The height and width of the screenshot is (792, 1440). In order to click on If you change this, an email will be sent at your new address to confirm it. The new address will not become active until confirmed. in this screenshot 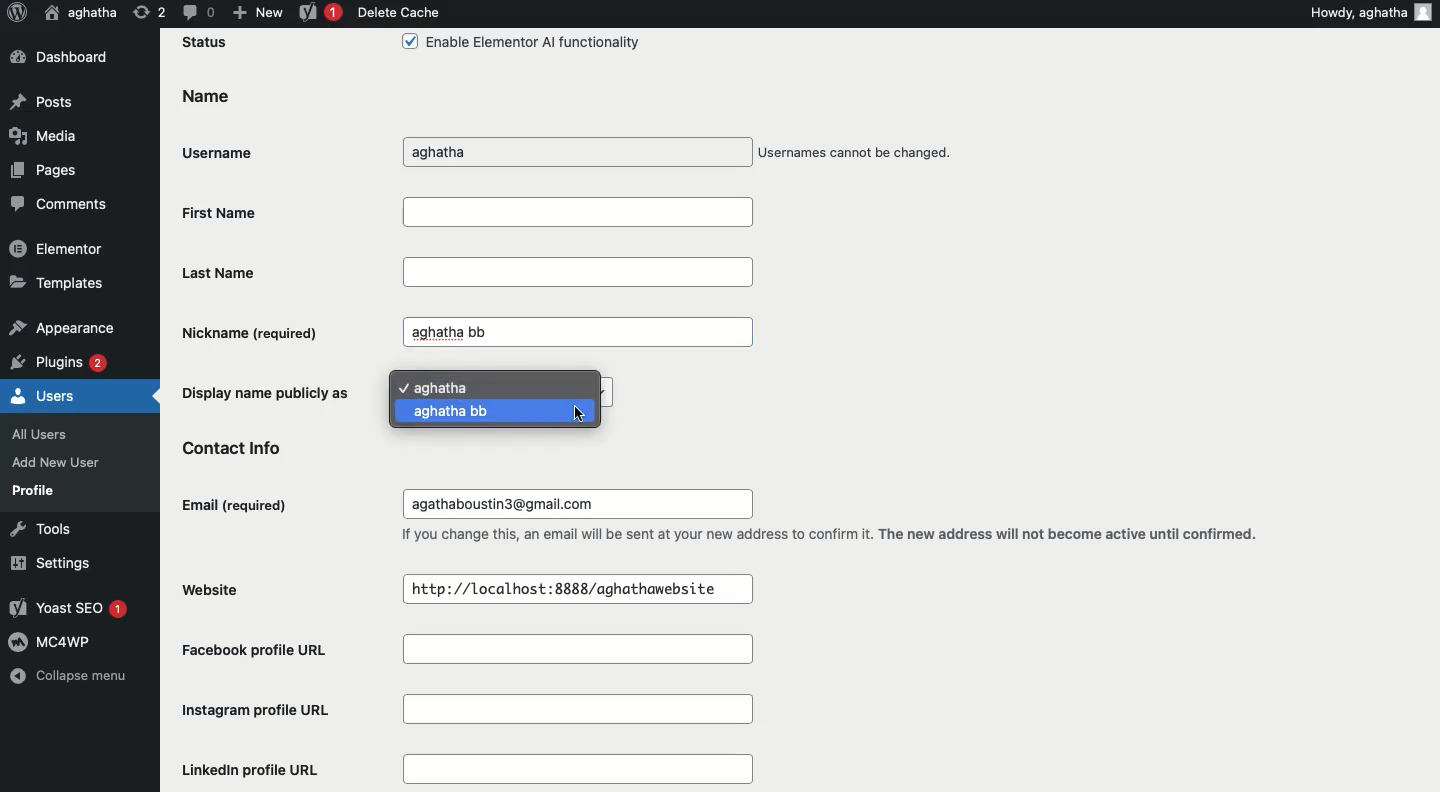, I will do `click(836, 535)`.